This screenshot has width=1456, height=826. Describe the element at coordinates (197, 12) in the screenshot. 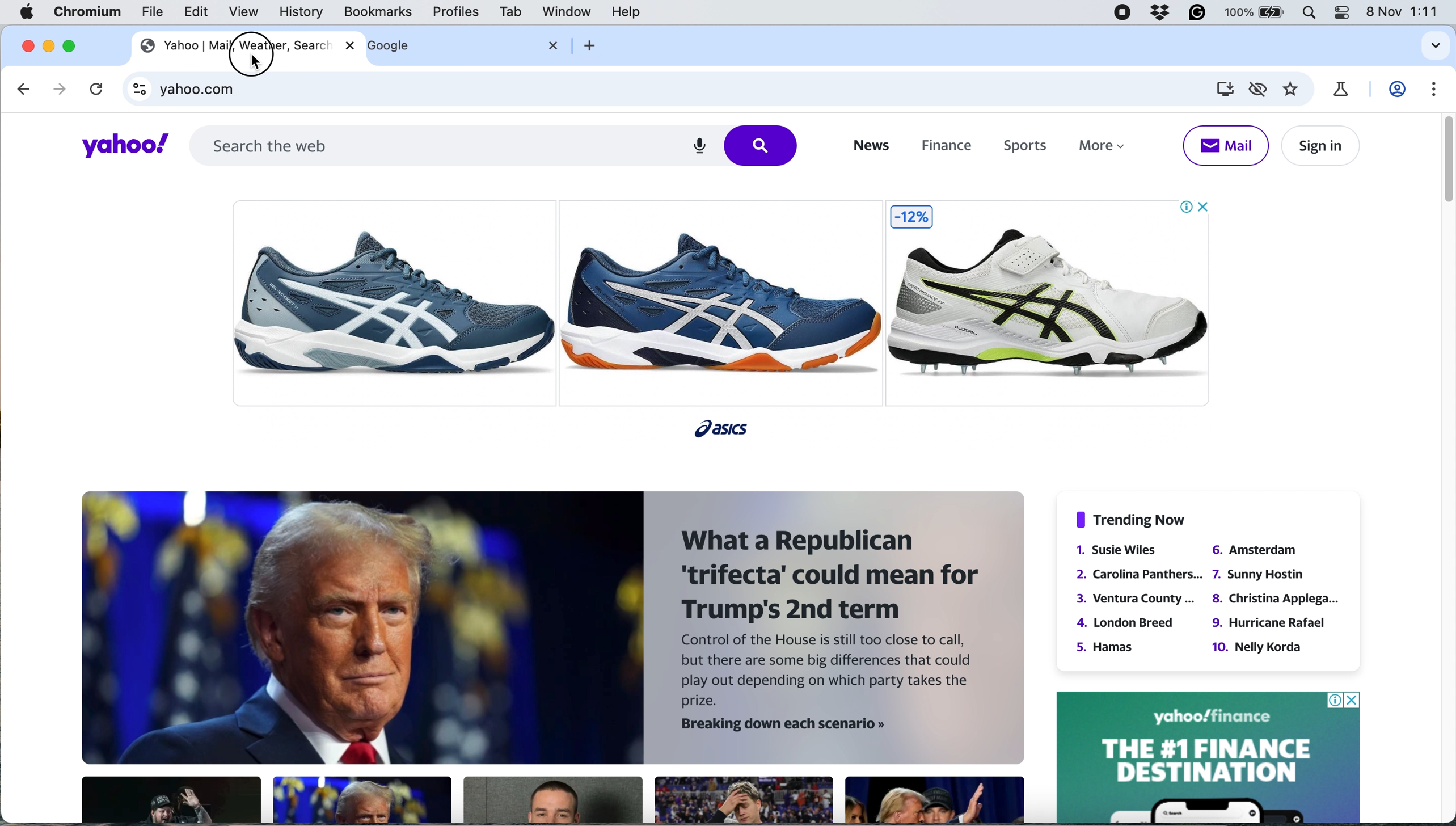

I see `edit` at that location.